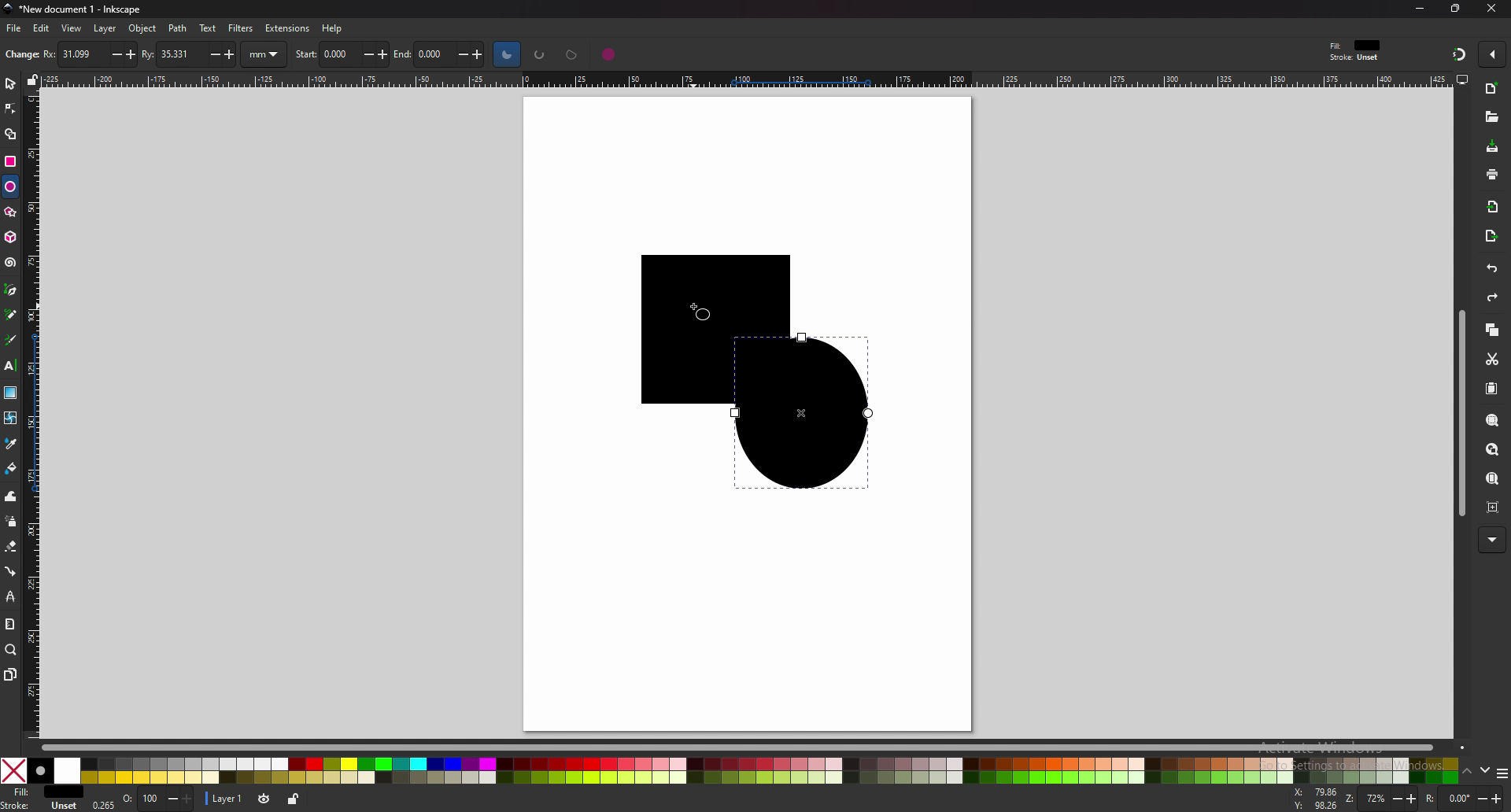  Describe the element at coordinates (224, 799) in the screenshot. I see `layer` at that location.